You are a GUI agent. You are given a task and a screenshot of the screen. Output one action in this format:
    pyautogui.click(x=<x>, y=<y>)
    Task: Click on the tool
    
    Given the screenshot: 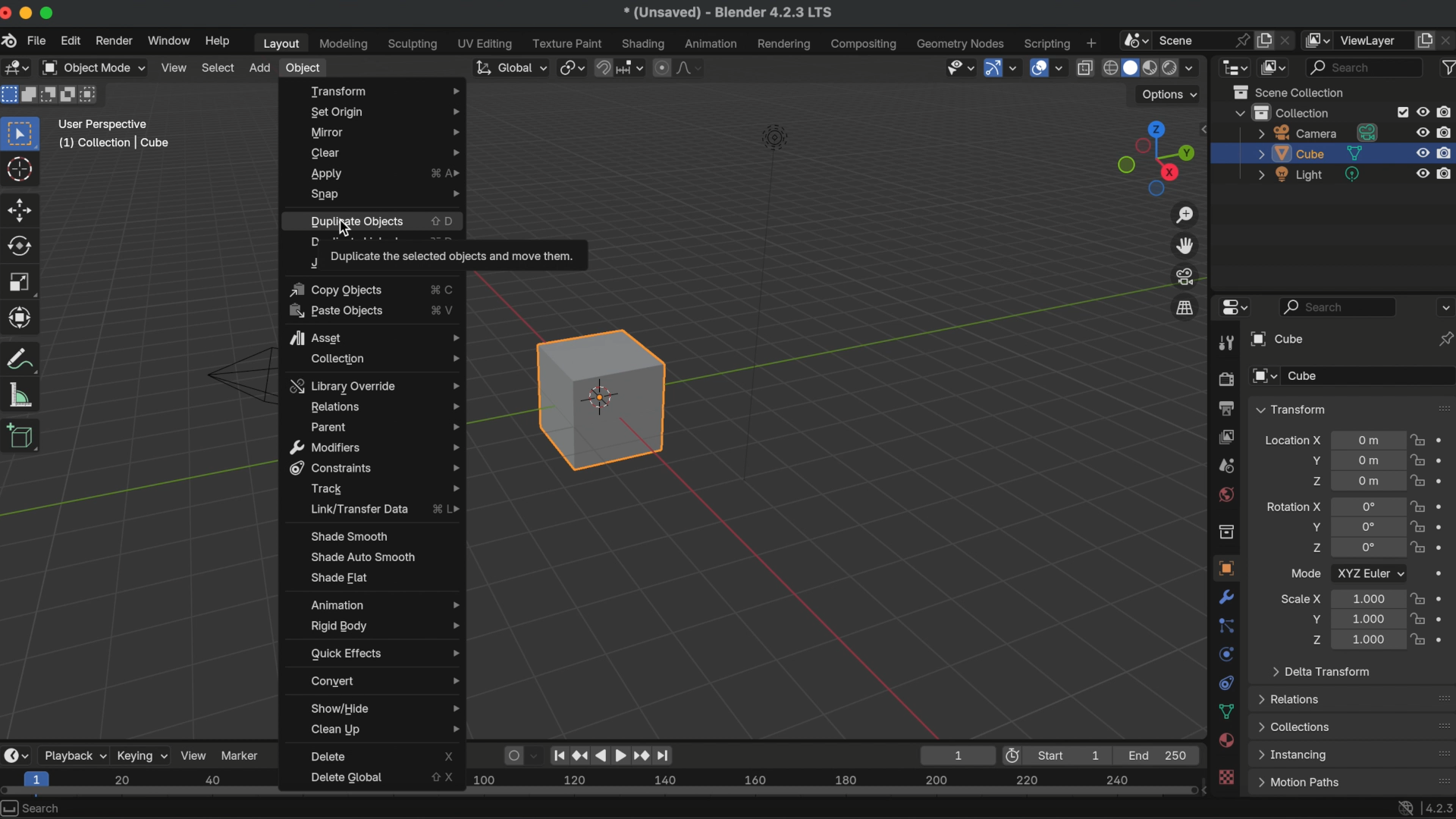 What is the action you would take?
    pyautogui.click(x=1224, y=344)
    